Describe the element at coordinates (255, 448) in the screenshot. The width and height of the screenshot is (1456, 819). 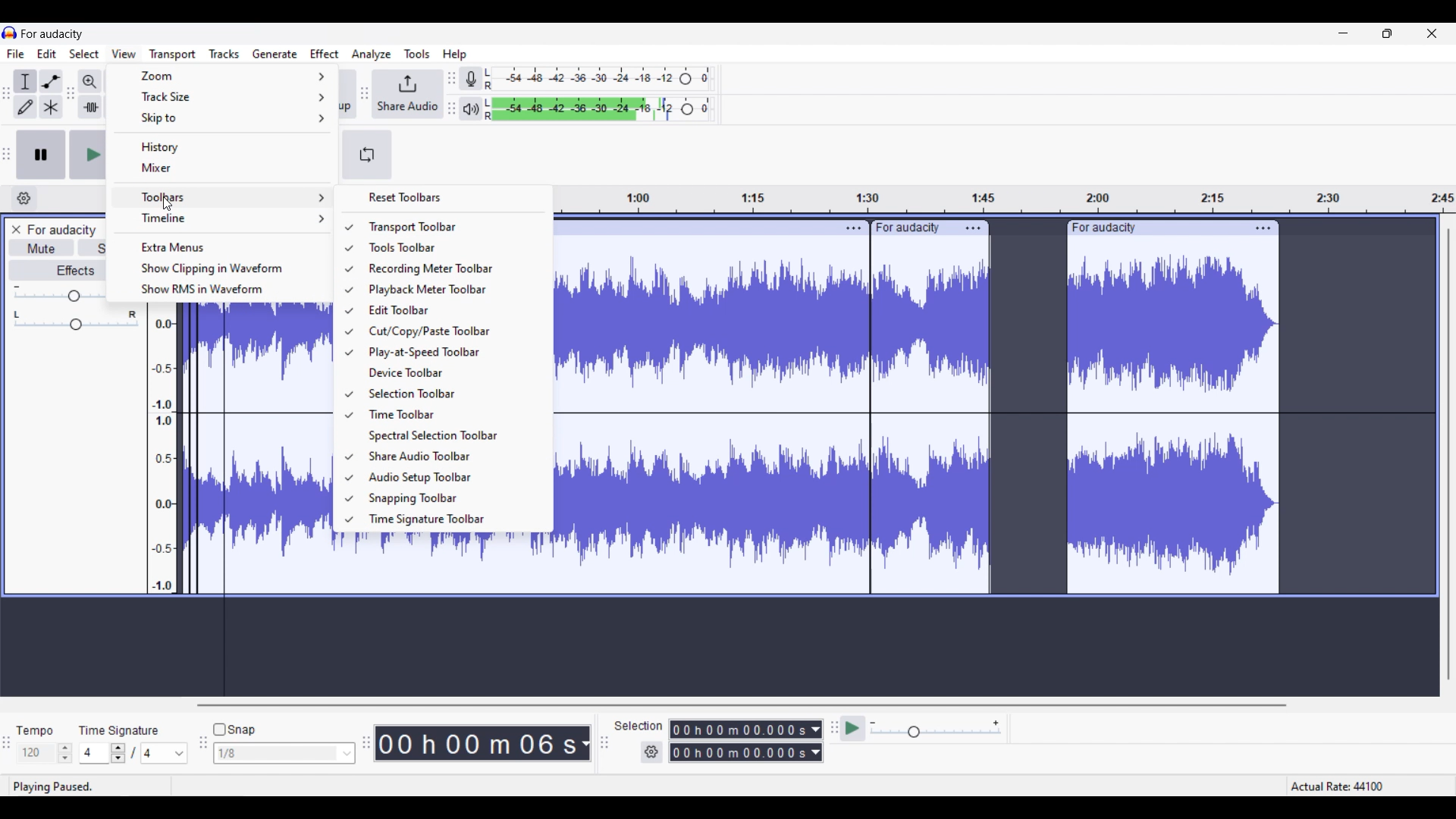
I see `track waveform` at that location.